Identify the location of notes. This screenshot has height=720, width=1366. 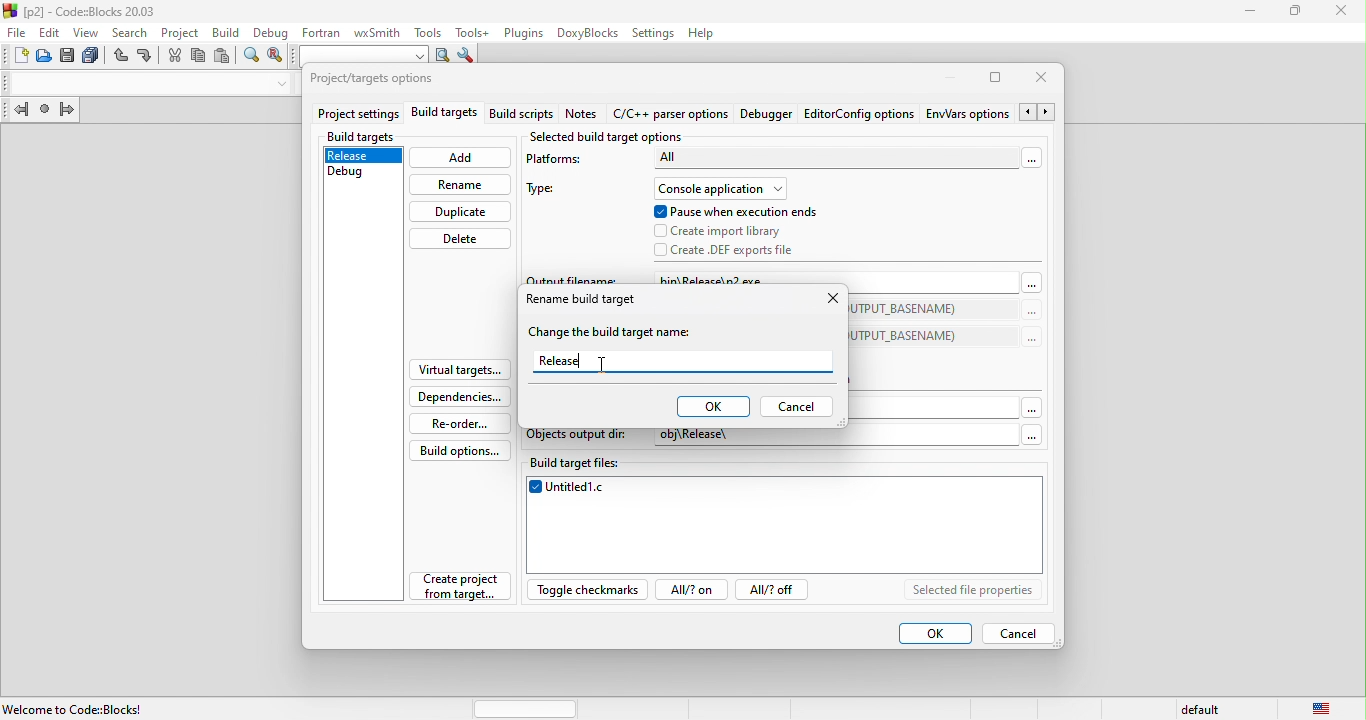
(589, 115).